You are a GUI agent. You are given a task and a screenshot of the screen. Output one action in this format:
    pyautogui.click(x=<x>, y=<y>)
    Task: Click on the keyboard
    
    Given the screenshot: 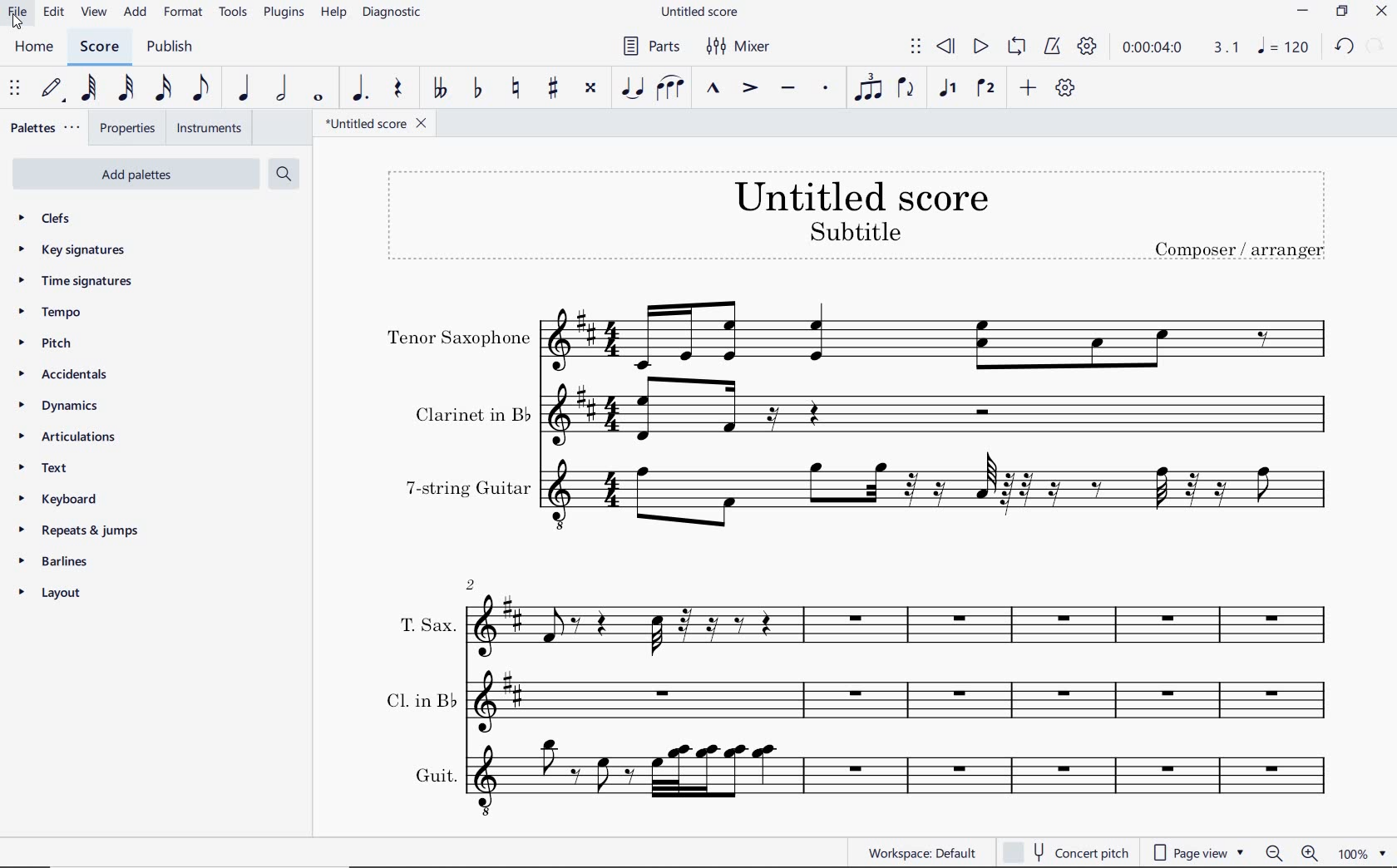 What is the action you would take?
    pyautogui.click(x=62, y=498)
    